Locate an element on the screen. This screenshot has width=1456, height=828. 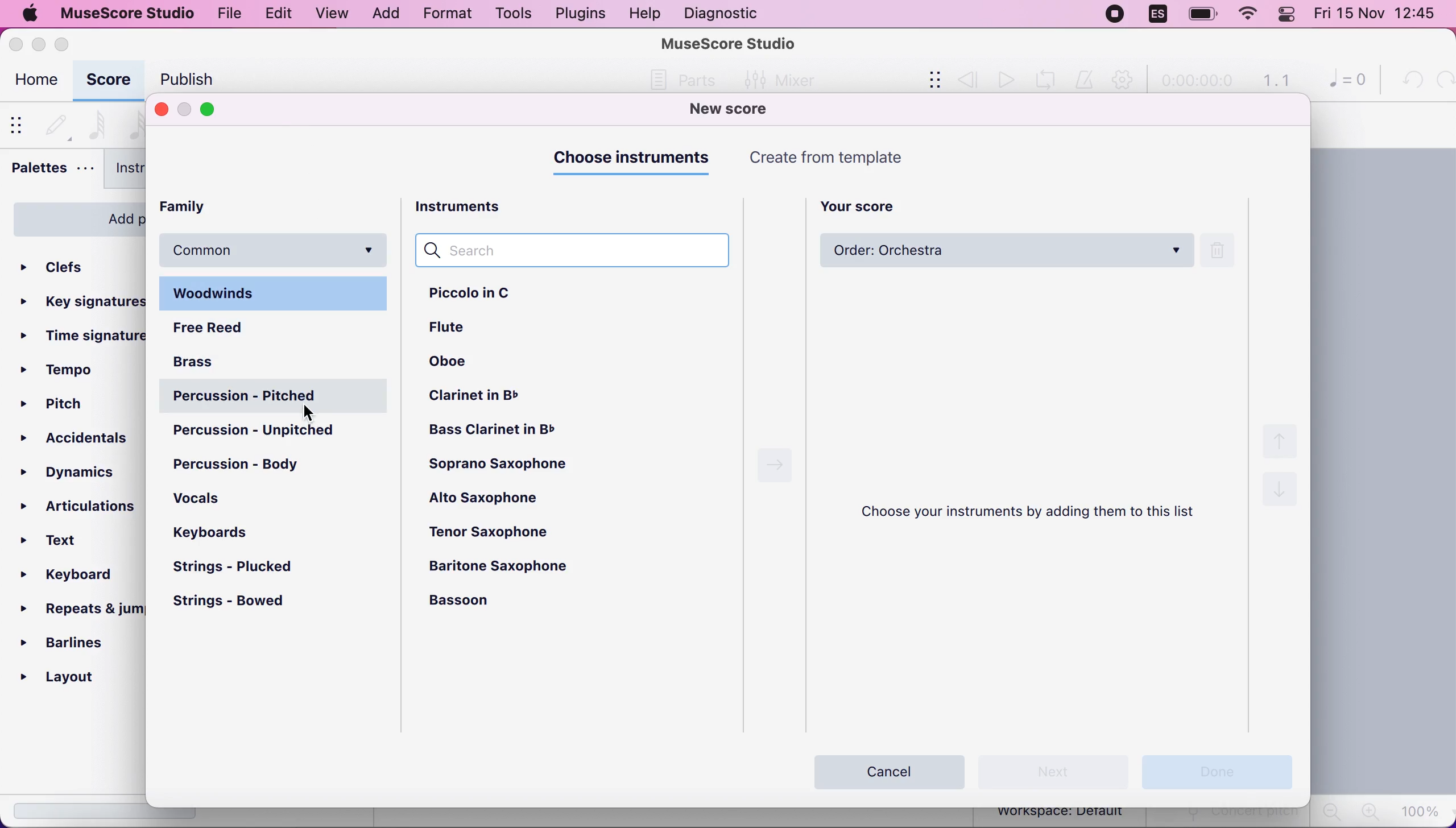
default is located at coordinates (56, 122).